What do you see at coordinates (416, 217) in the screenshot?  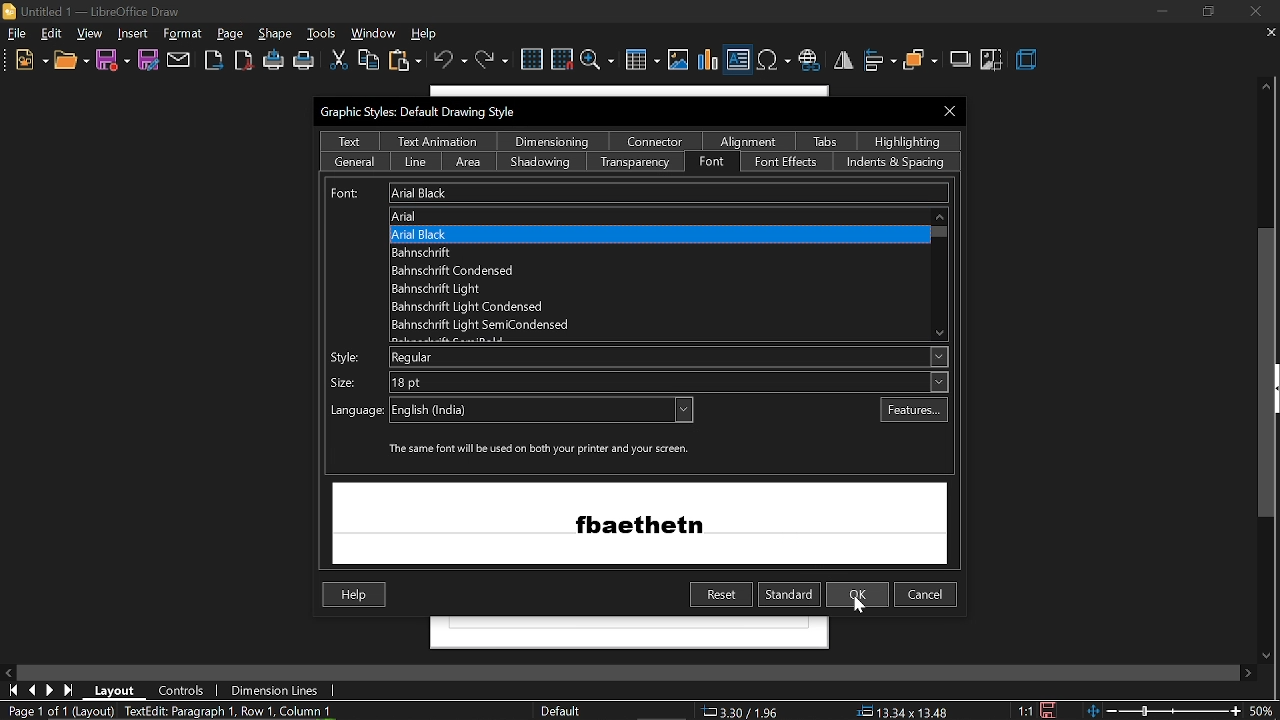 I see `Arial` at bounding box center [416, 217].